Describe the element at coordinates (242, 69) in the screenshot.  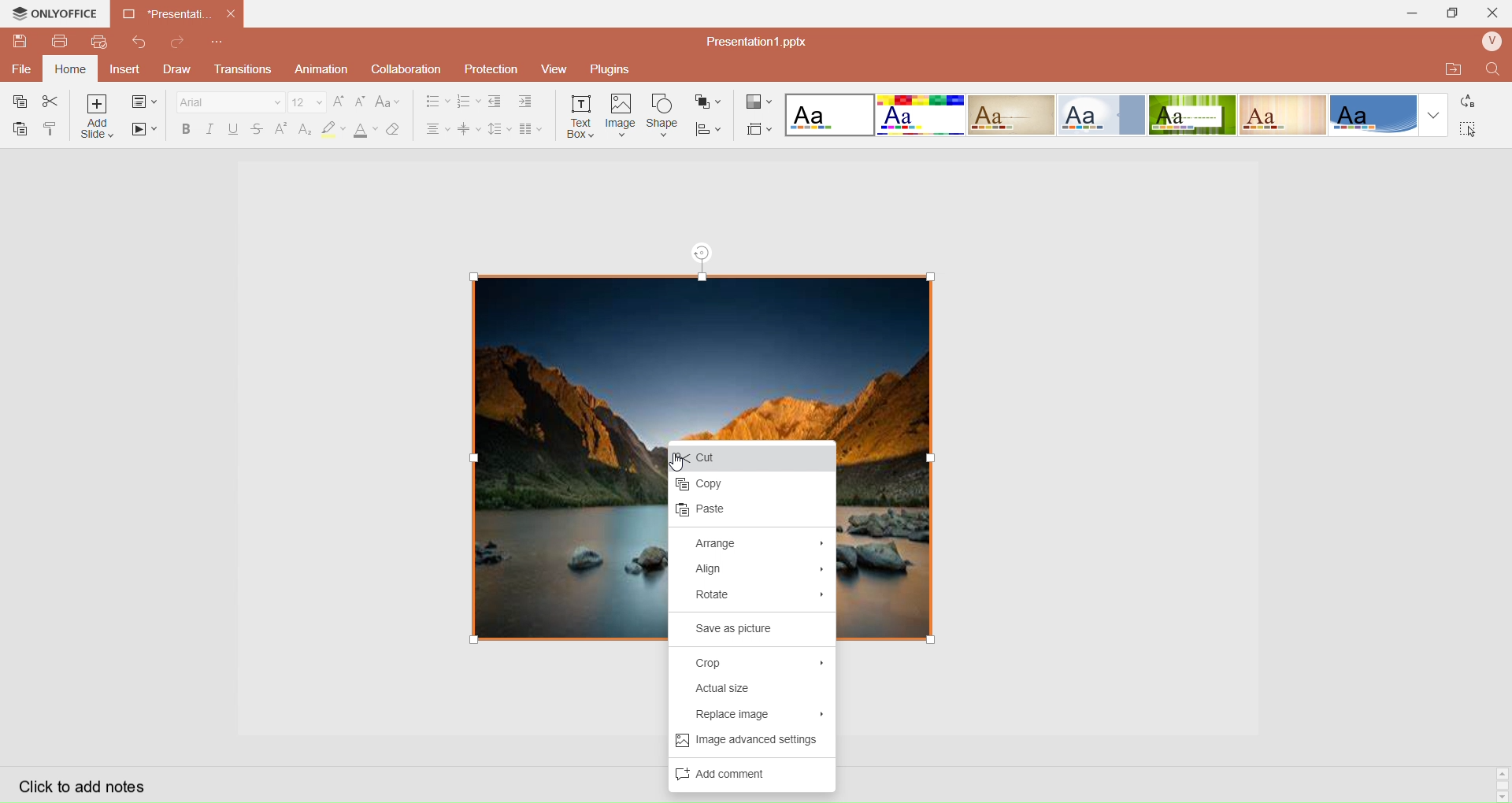
I see `Transitions` at that location.